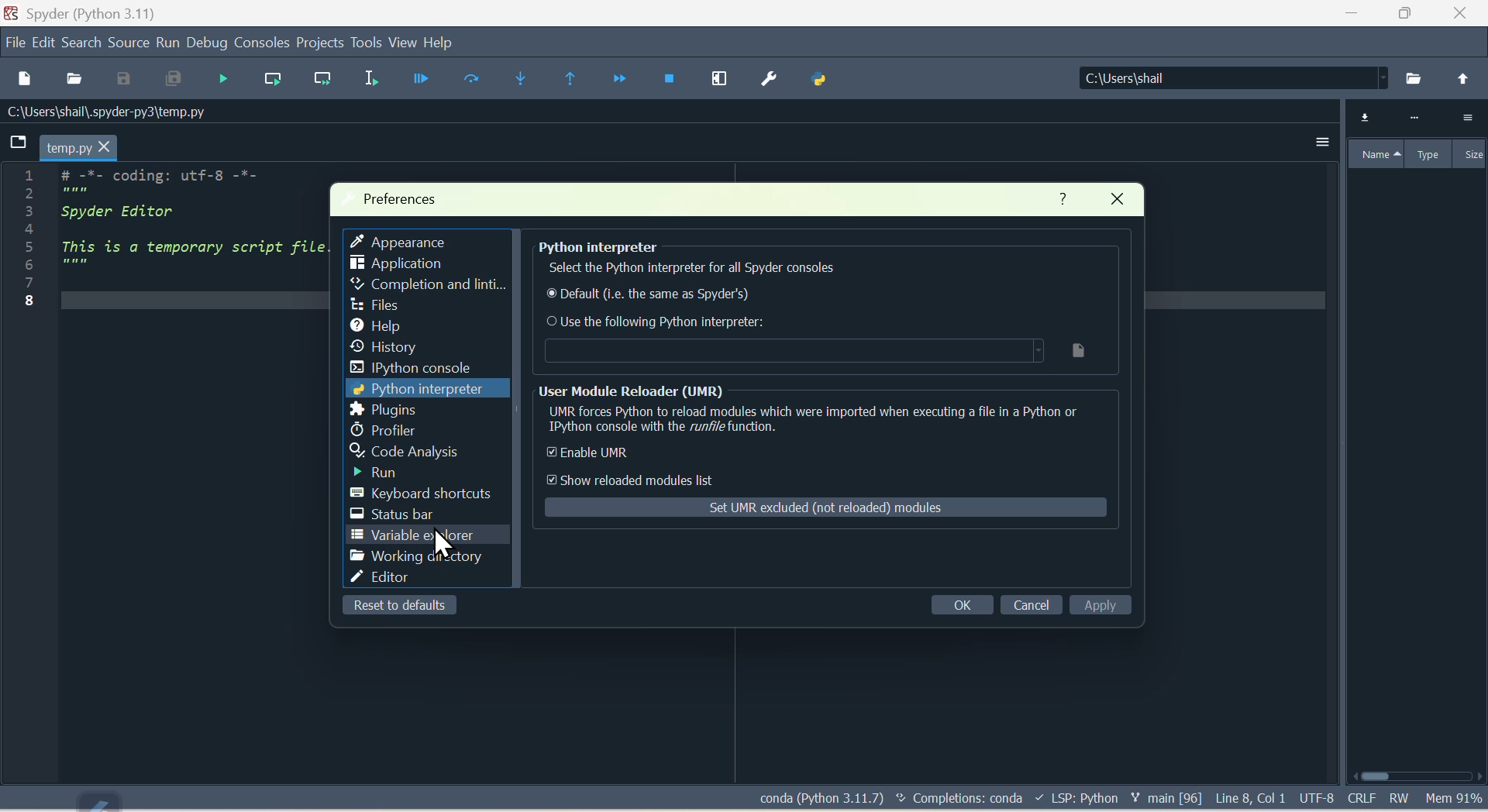 The width and height of the screenshot is (1488, 812). What do you see at coordinates (447, 46) in the screenshot?
I see `help` at bounding box center [447, 46].